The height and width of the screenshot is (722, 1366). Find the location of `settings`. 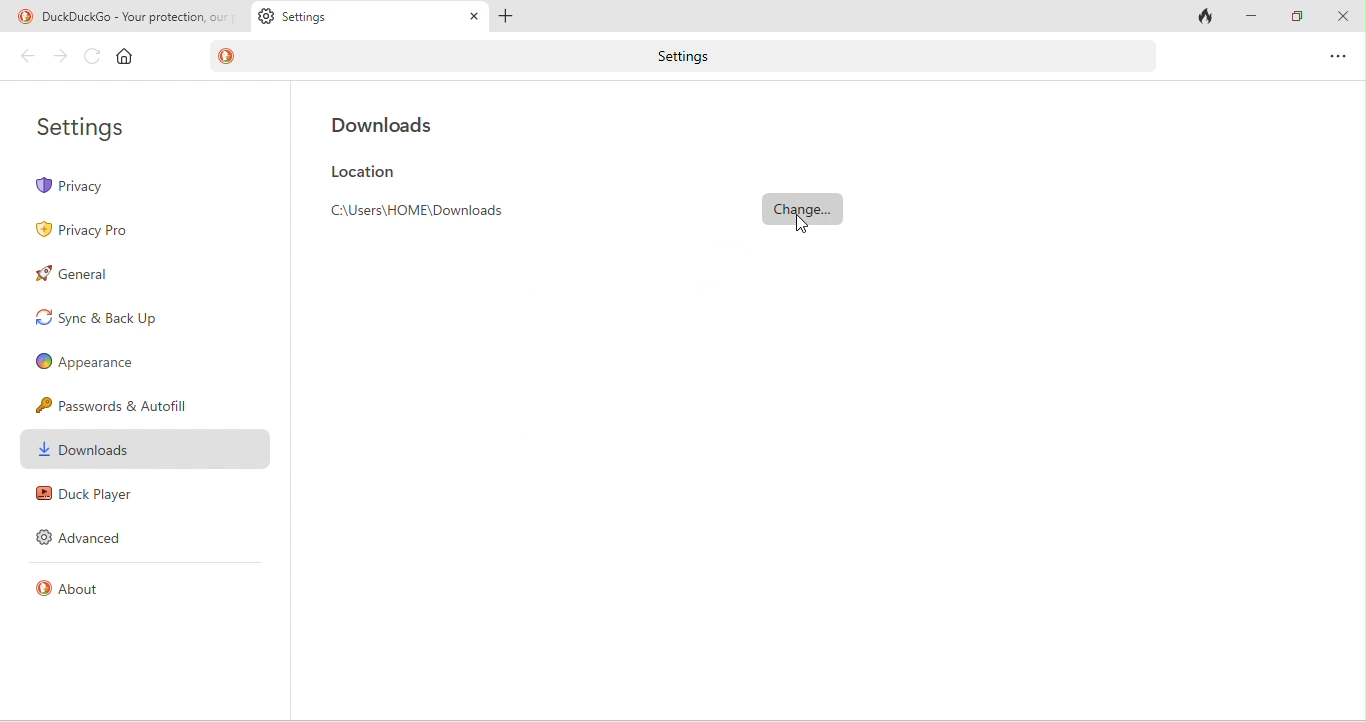

settings is located at coordinates (688, 55).